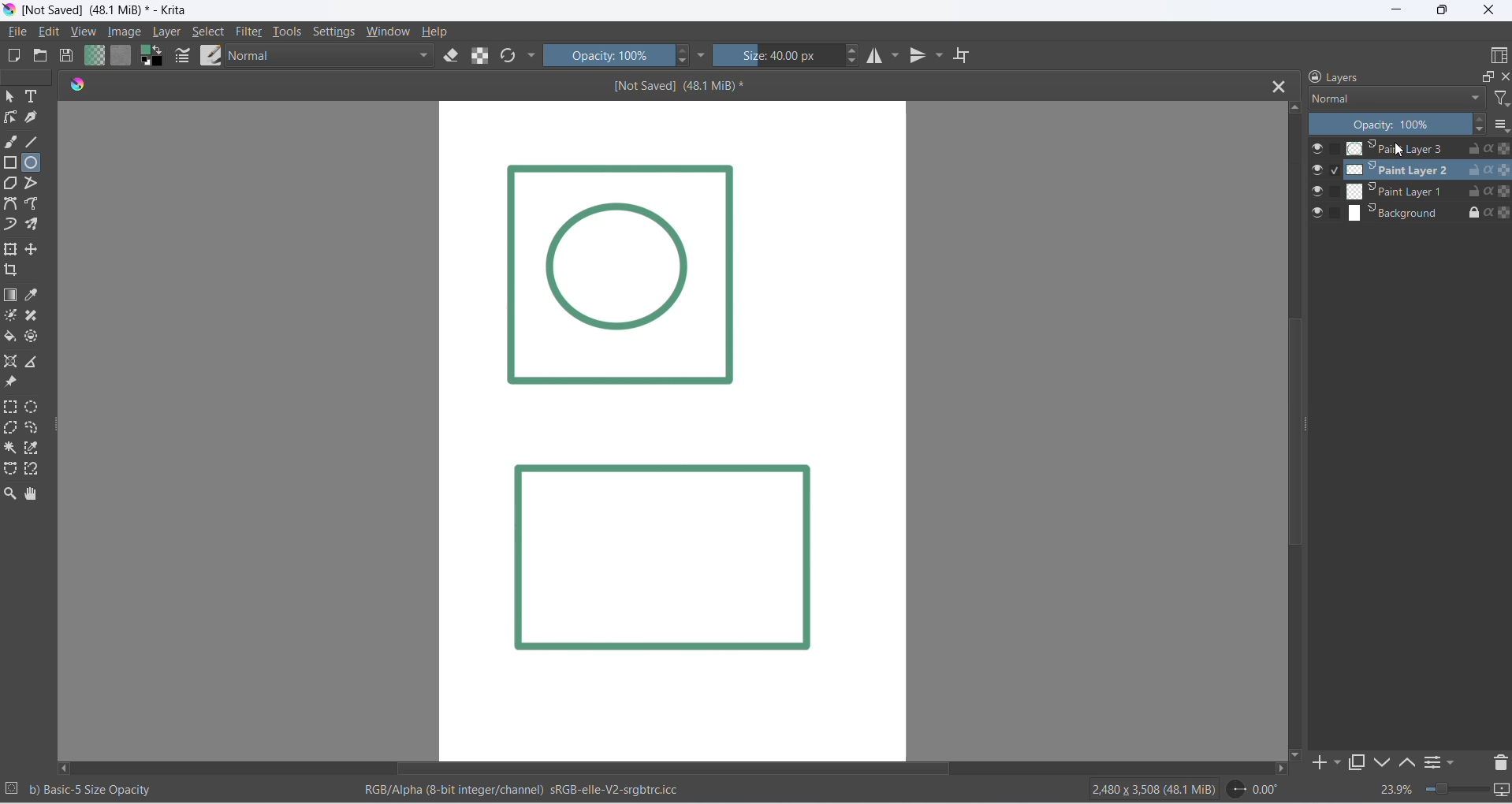  I want to click on curve selection tool, so click(36, 430).